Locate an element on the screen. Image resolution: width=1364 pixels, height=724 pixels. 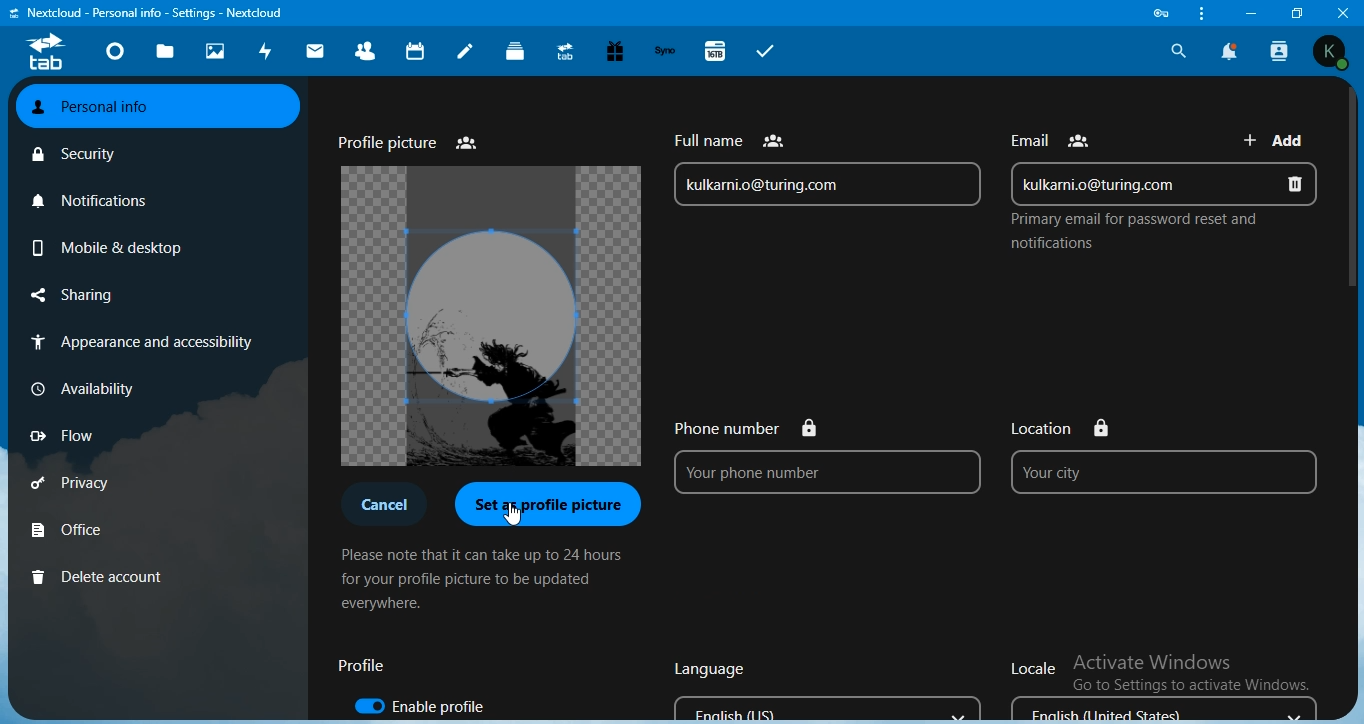
¥ is located at coordinates (551, 504).